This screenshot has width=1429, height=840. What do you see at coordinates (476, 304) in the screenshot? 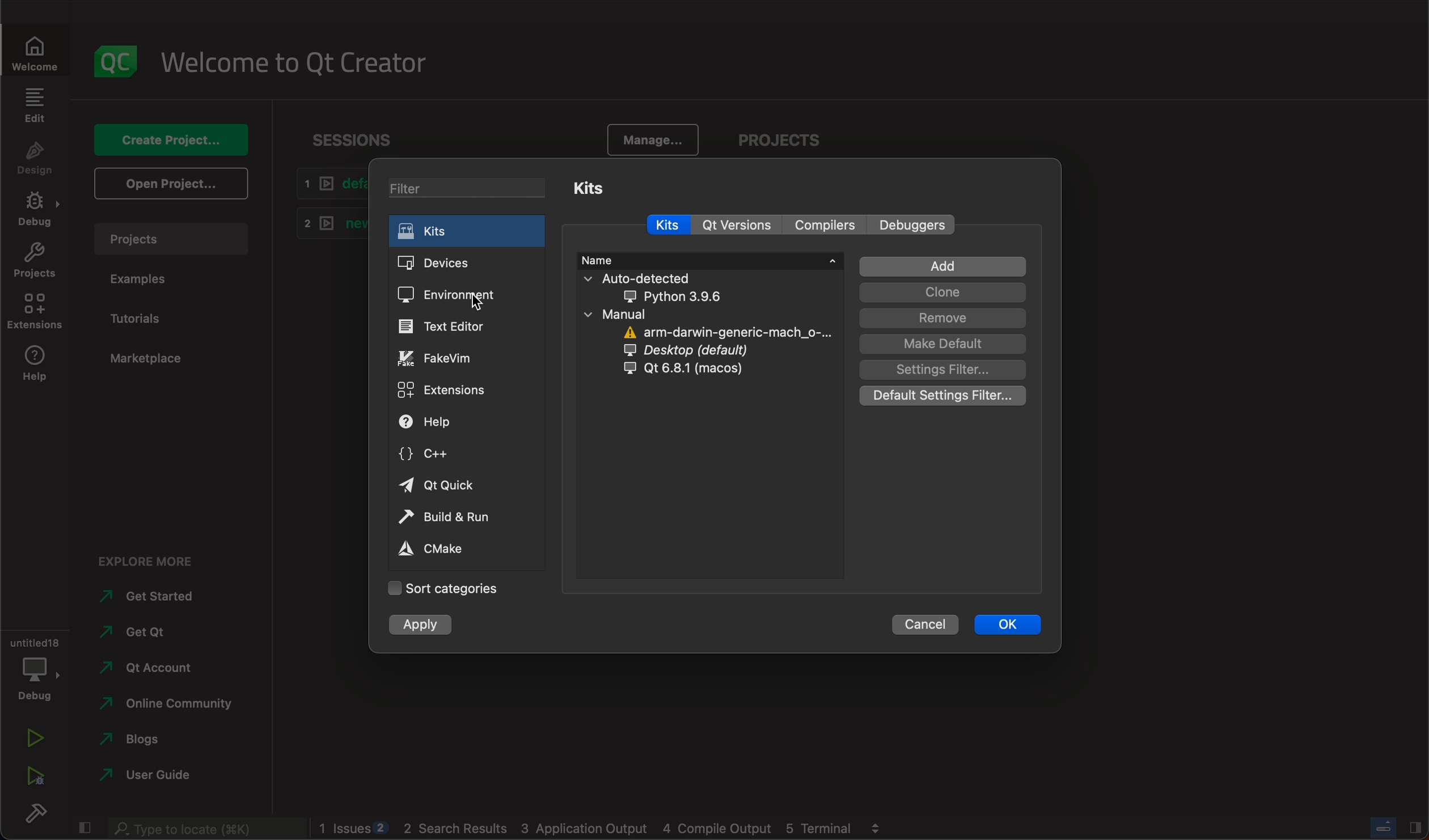
I see `cursor` at bounding box center [476, 304].